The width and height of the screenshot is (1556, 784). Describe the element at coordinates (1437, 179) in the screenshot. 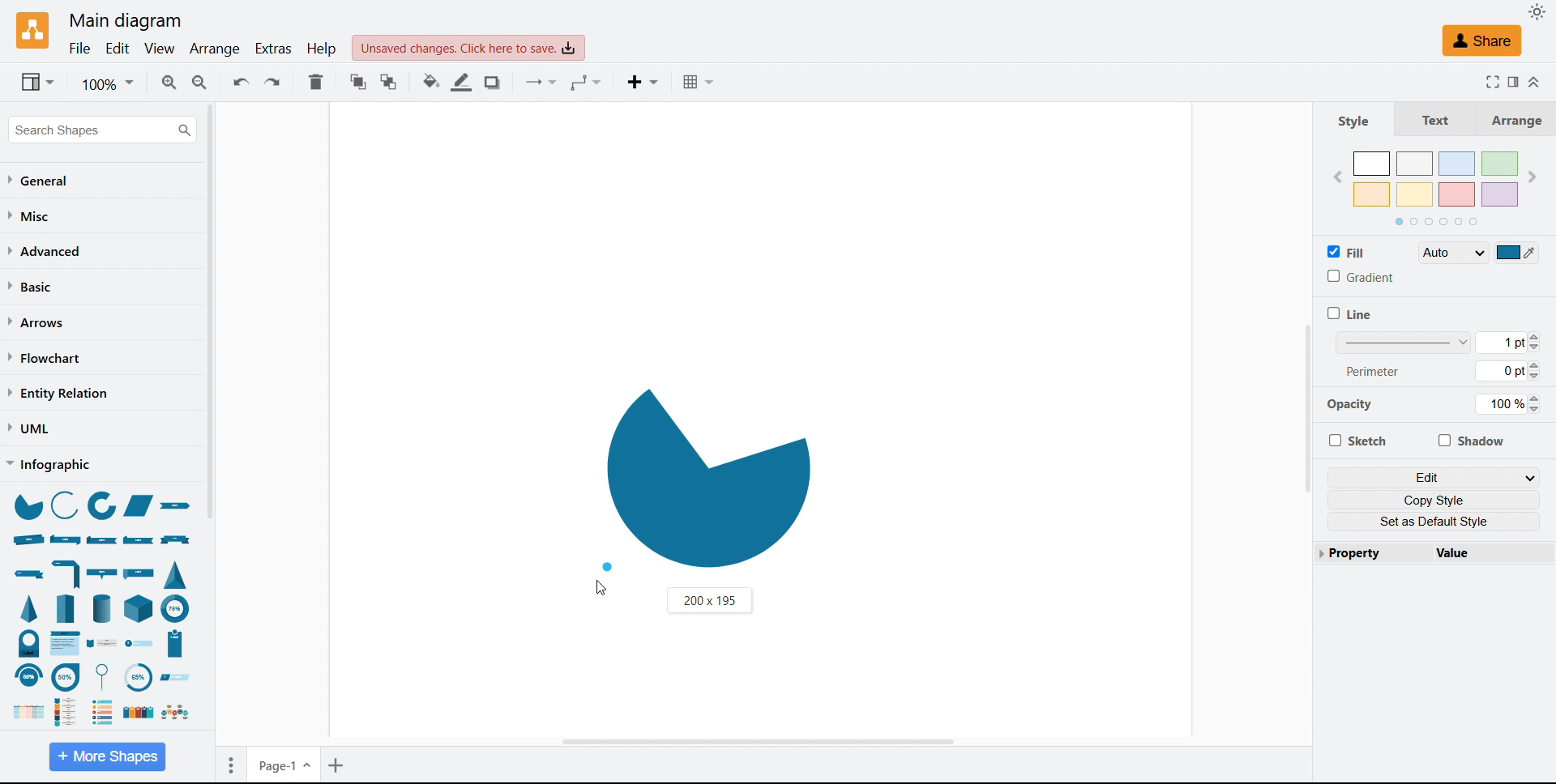

I see `Colour palettes ` at that location.